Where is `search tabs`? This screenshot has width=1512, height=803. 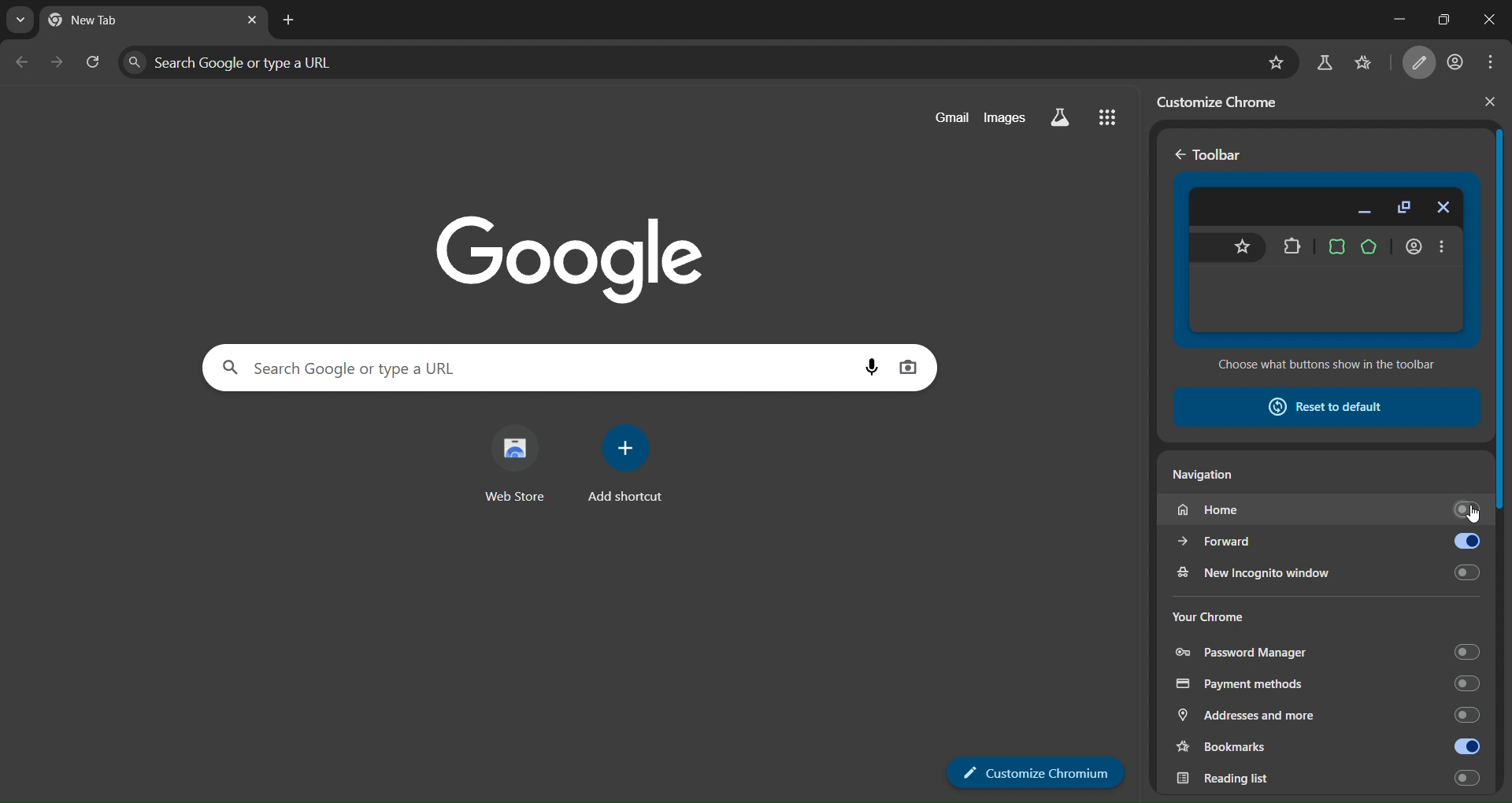
search tabs is located at coordinates (16, 20).